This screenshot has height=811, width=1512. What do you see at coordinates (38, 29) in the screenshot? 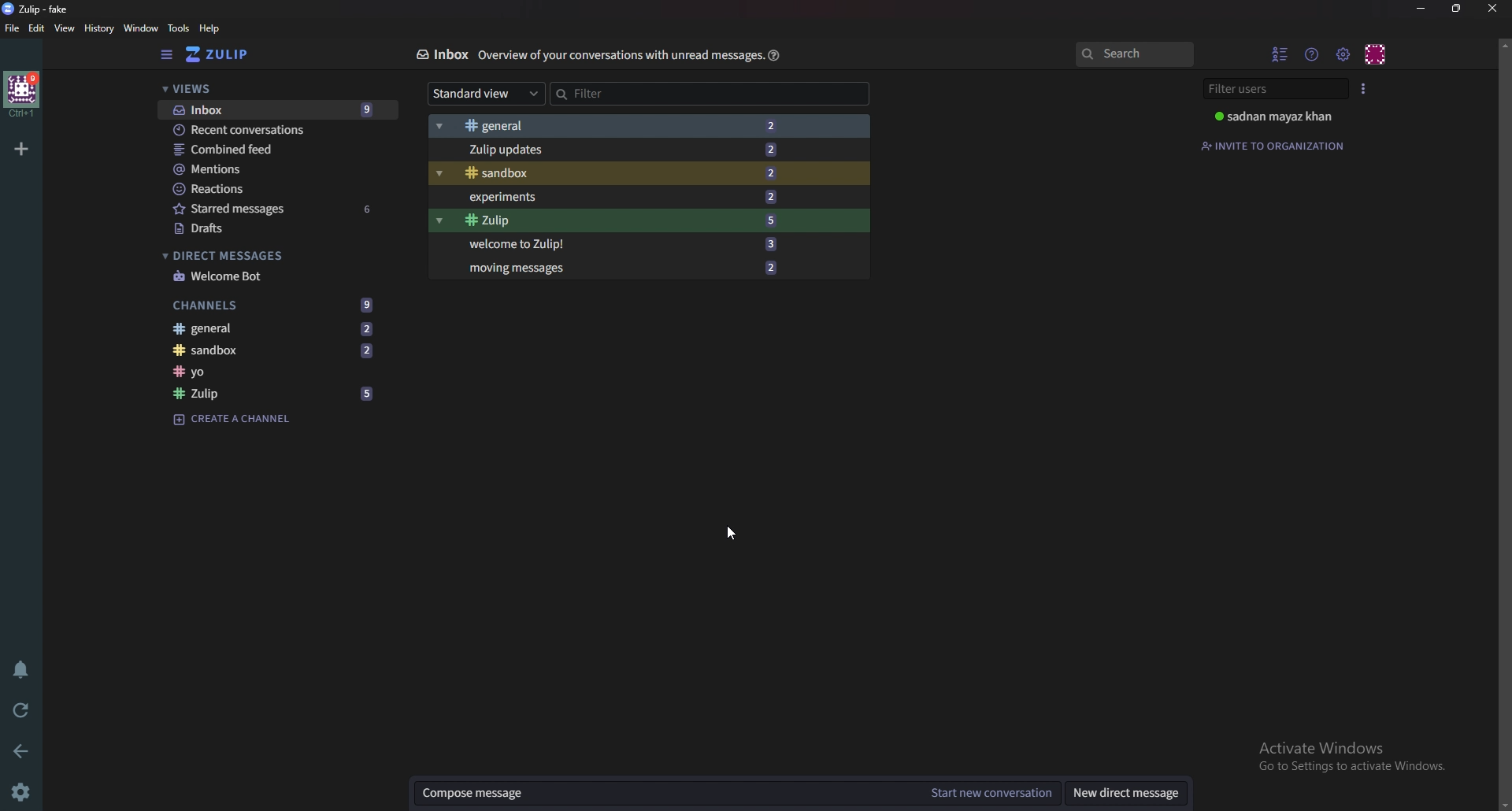
I see `Edit` at bounding box center [38, 29].